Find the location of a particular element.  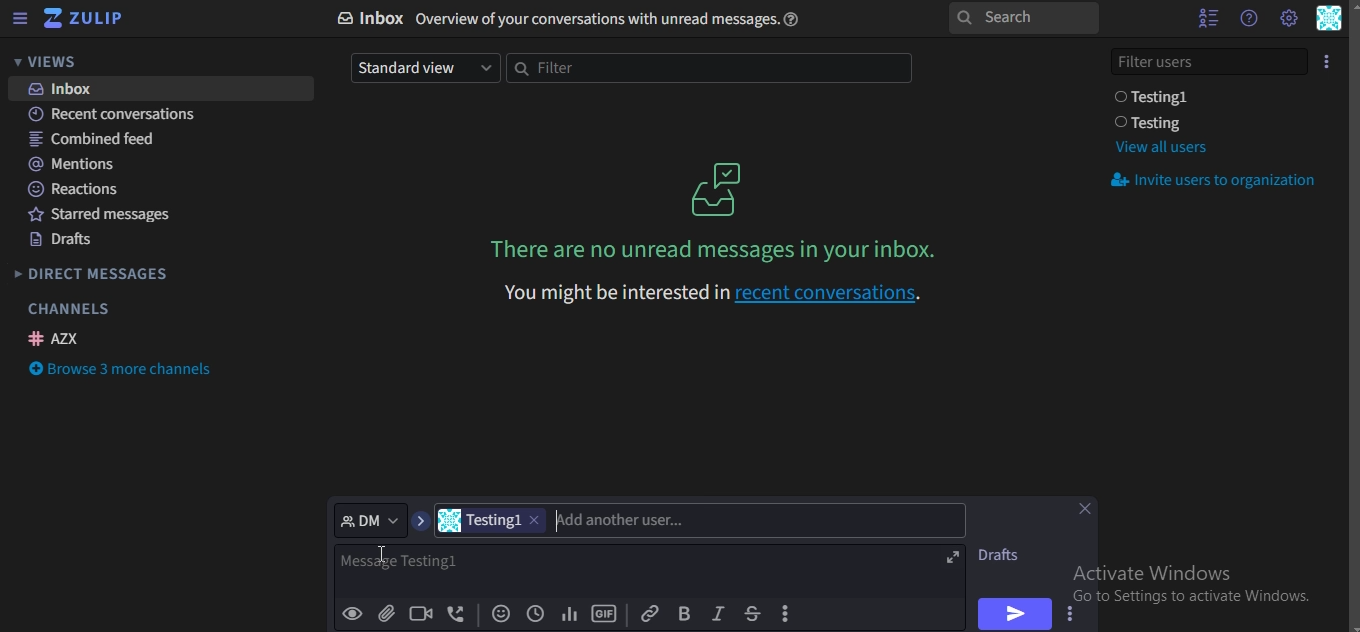

testing1 is located at coordinates (1156, 97).